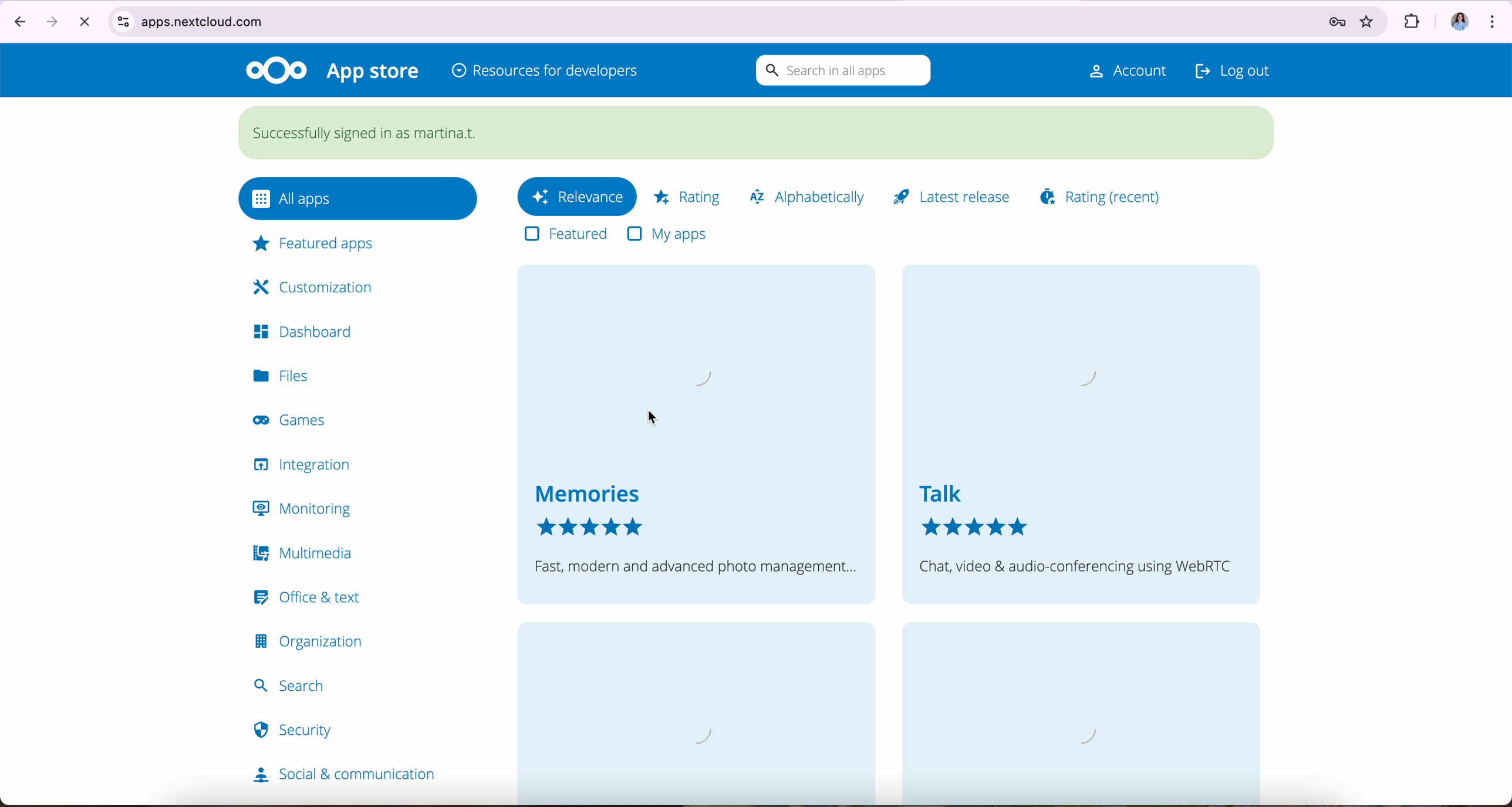 The height and width of the screenshot is (807, 1512). I want to click on apps.nextcloud.com, so click(701, 19).